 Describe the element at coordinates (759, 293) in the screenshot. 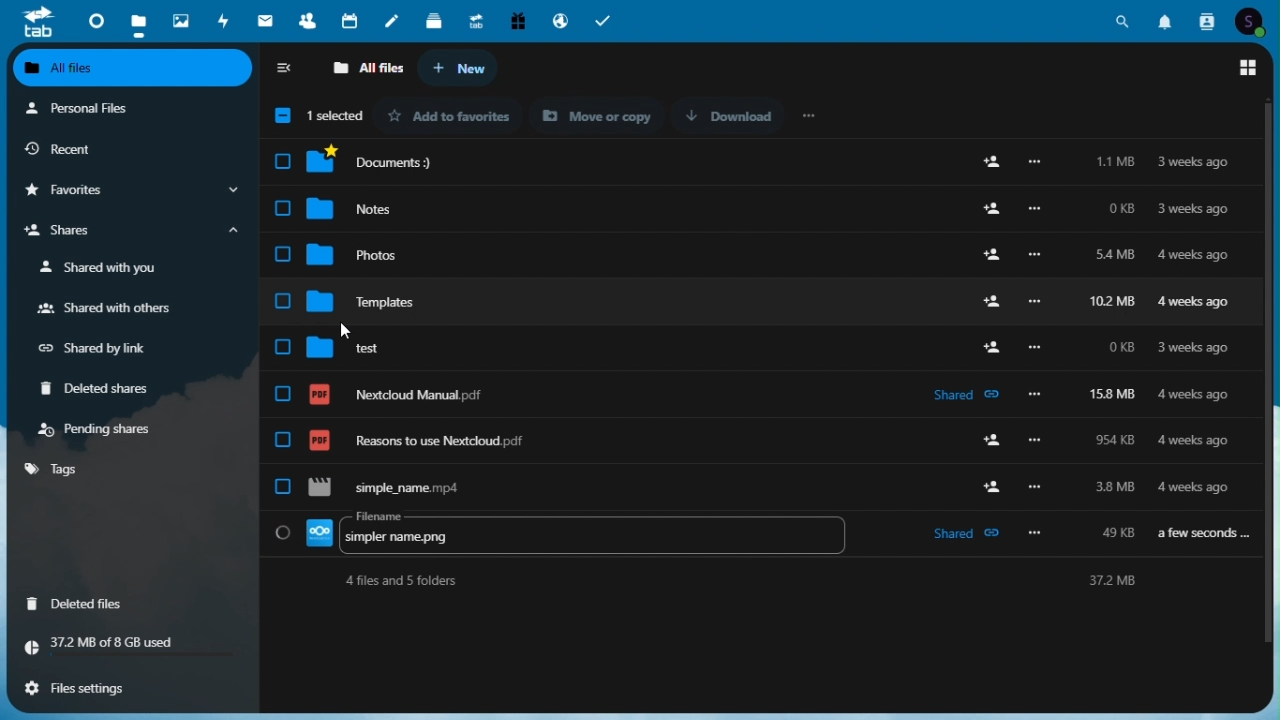

I see `Templates 102 MB 4 weeks ago` at that location.